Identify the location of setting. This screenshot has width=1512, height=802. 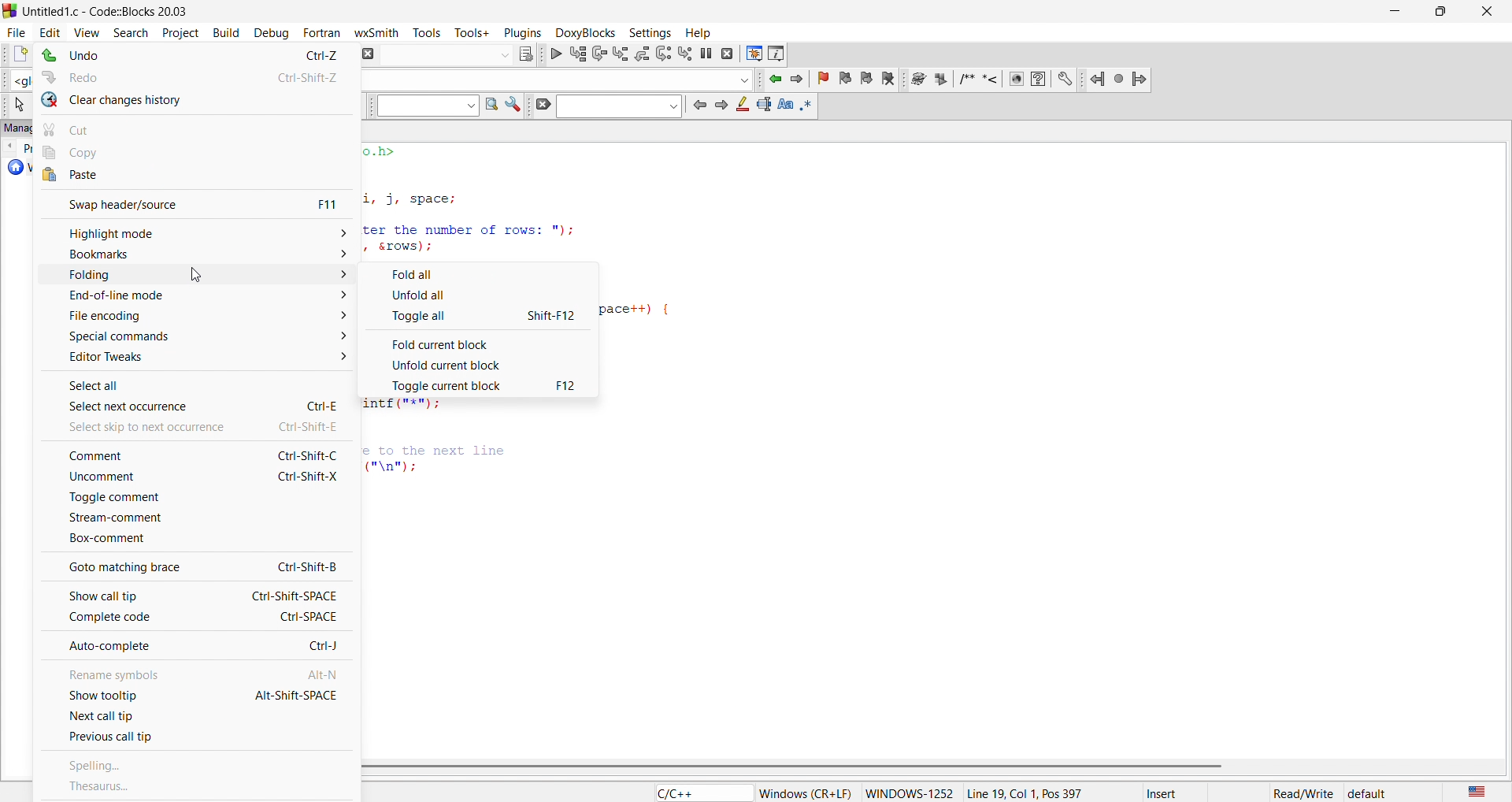
(647, 32).